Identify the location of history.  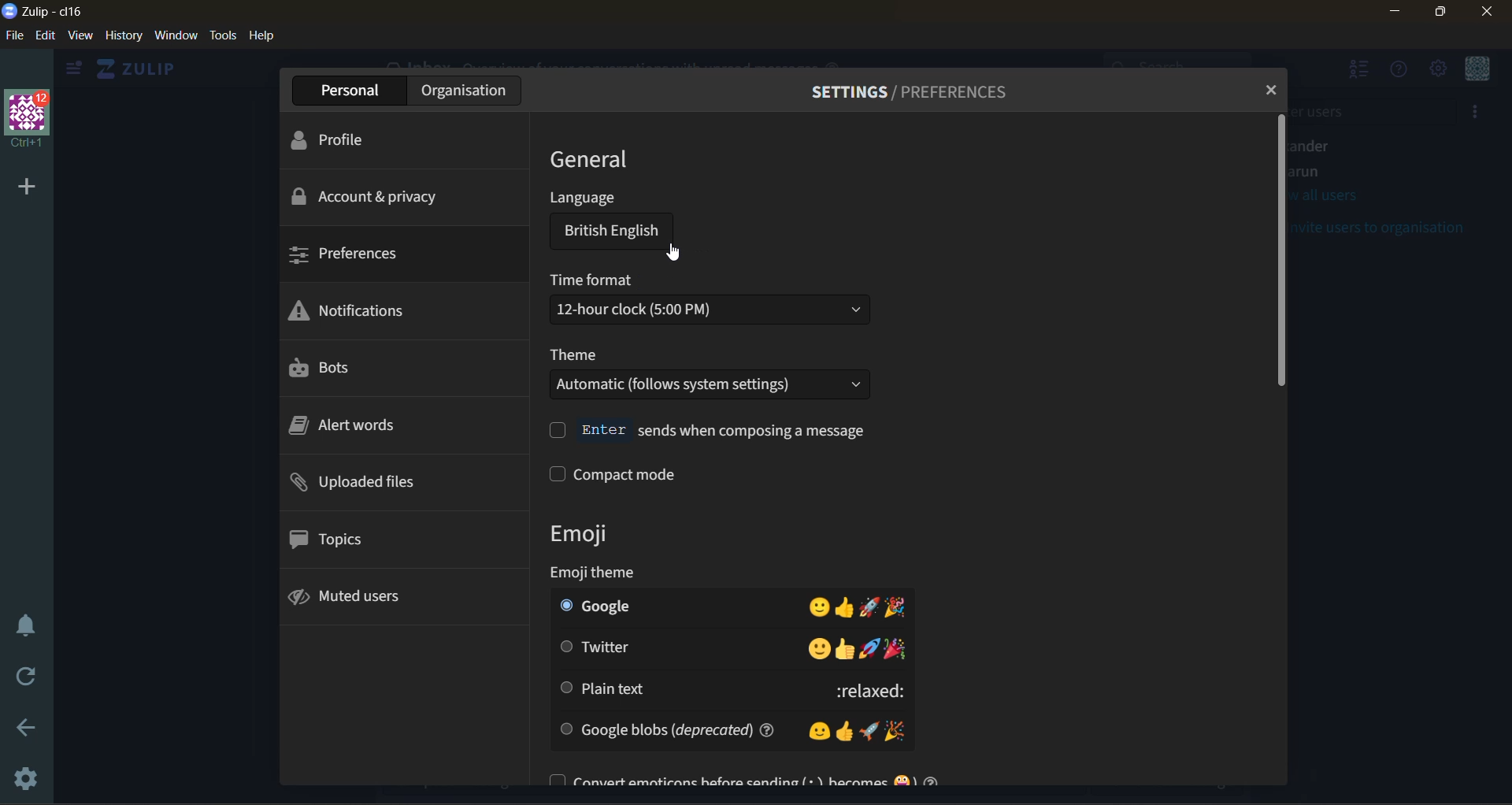
(123, 39).